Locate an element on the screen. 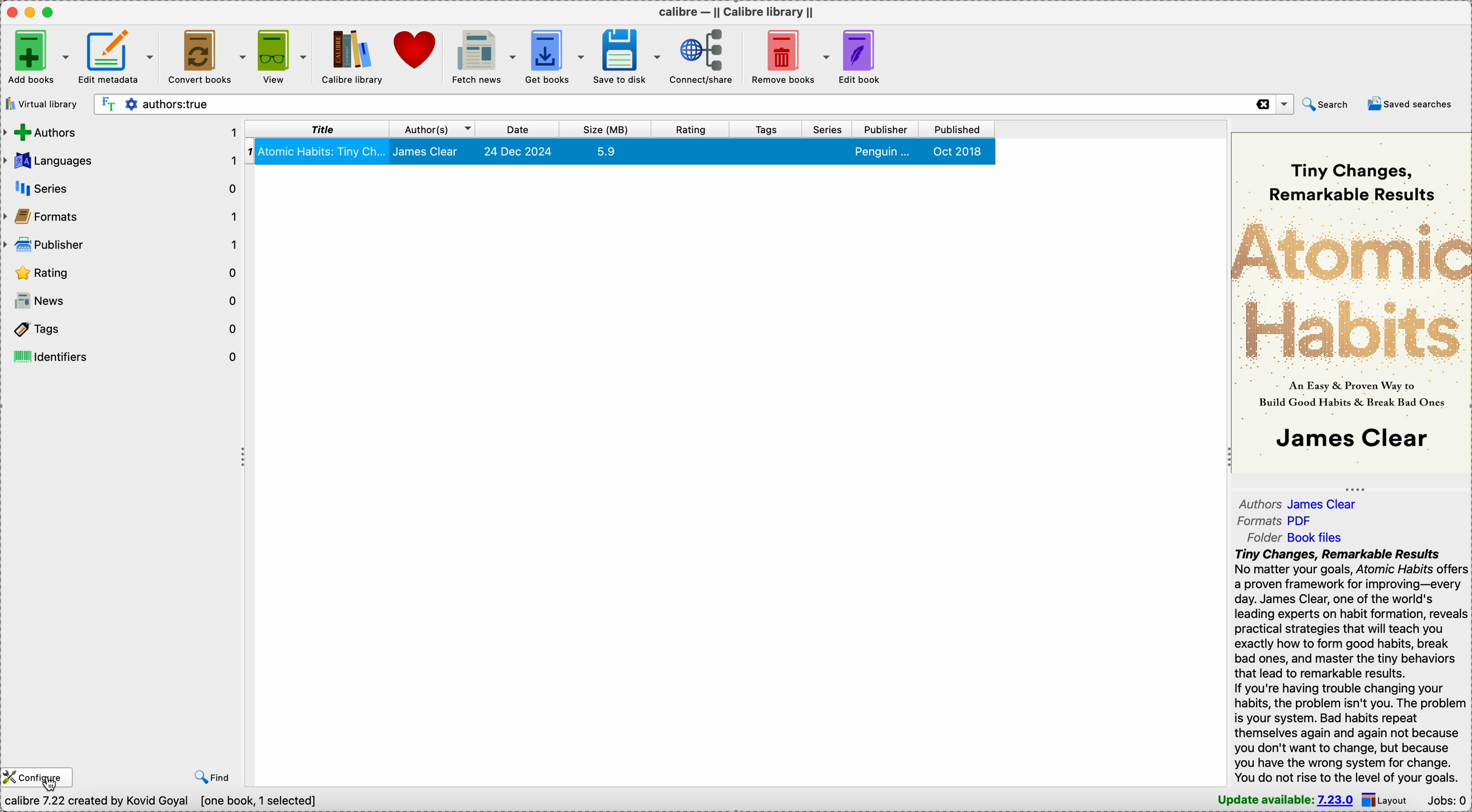 This screenshot has height=812, width=1472. view is located at coordinates (281, 56).